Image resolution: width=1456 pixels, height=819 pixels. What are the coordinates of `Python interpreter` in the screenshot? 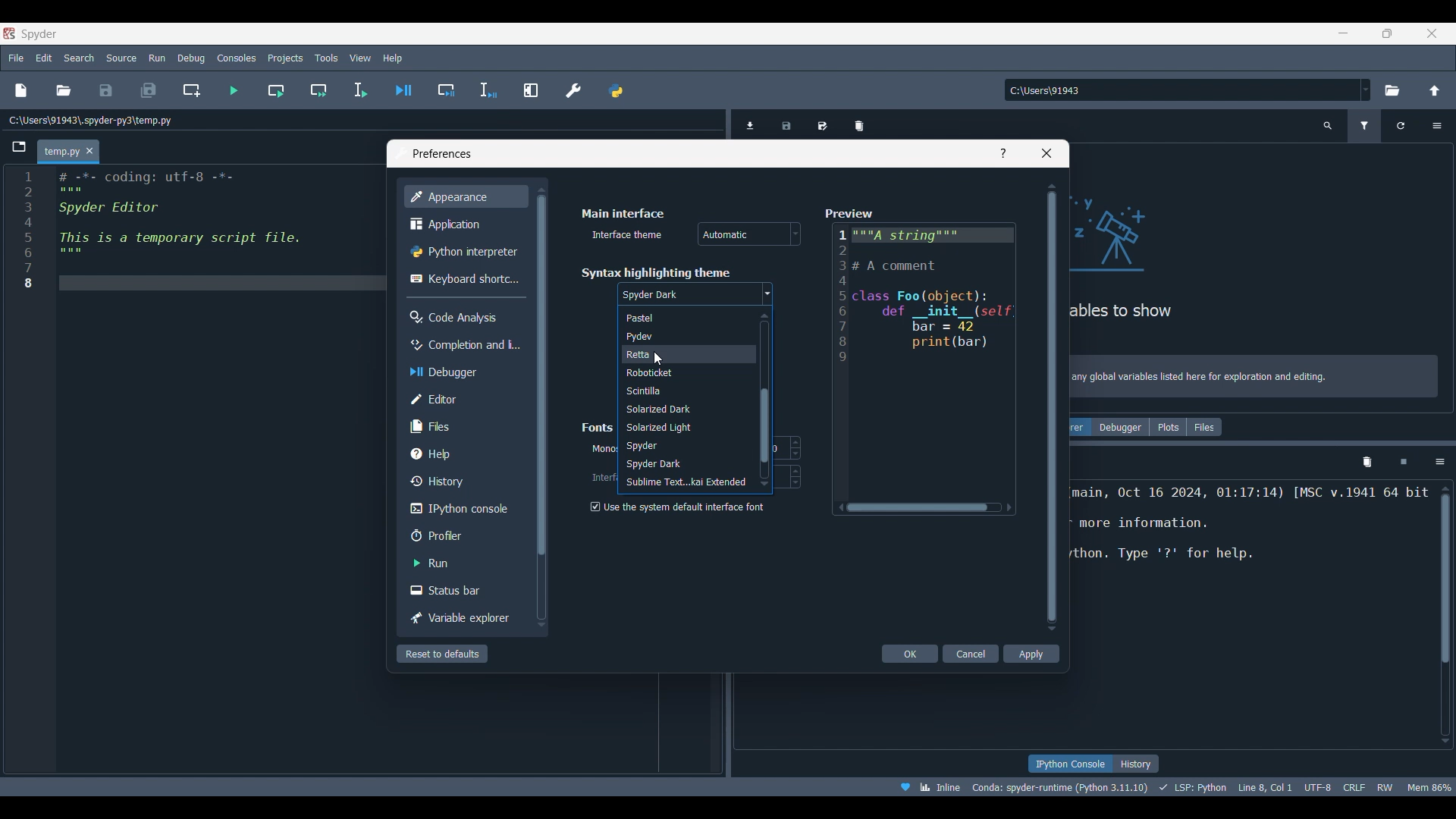 It's located at (465, 252).